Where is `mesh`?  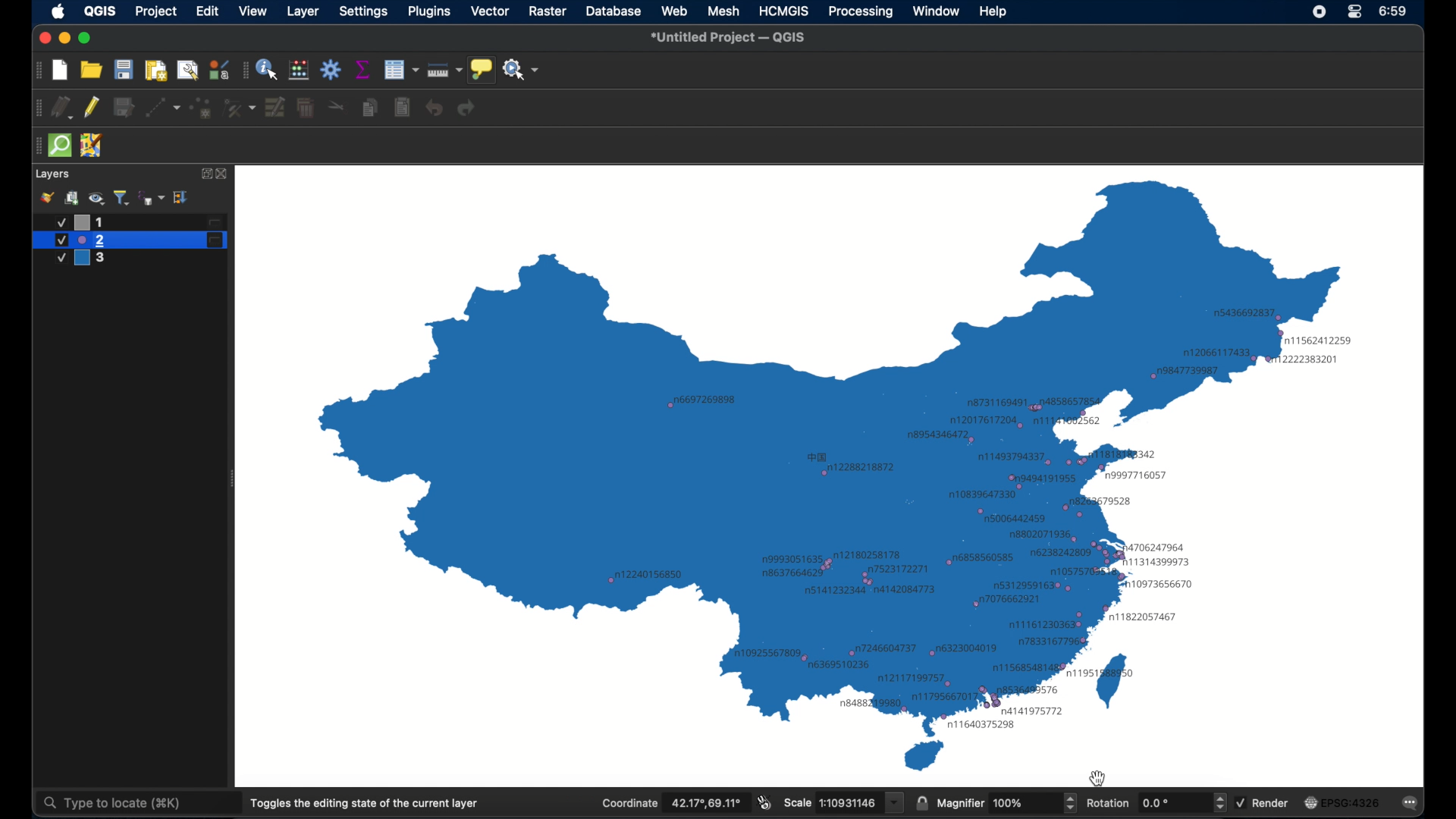
mesh is located at coordinates (723, 11).